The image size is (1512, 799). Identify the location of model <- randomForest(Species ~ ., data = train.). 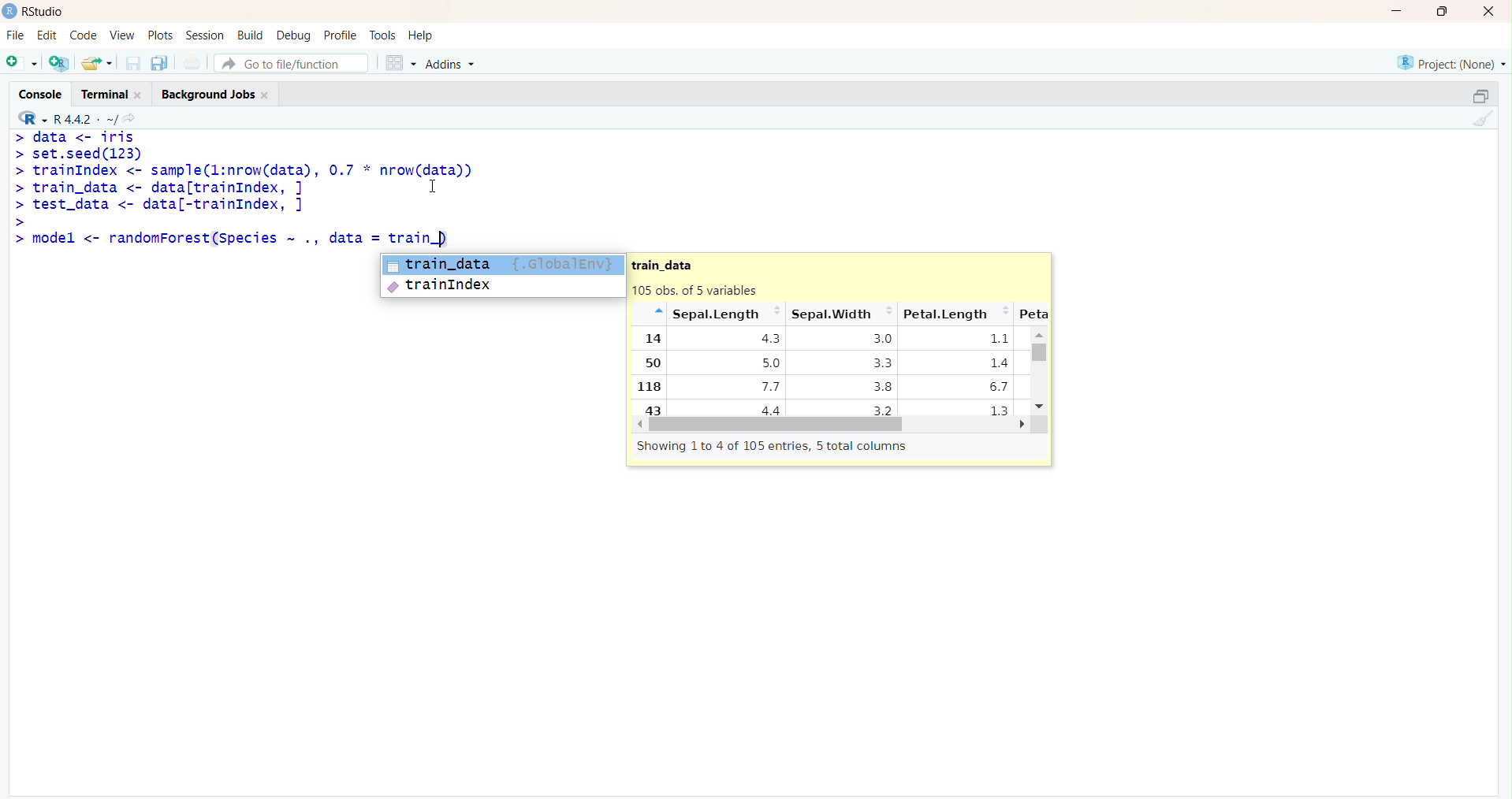
(242, 239).